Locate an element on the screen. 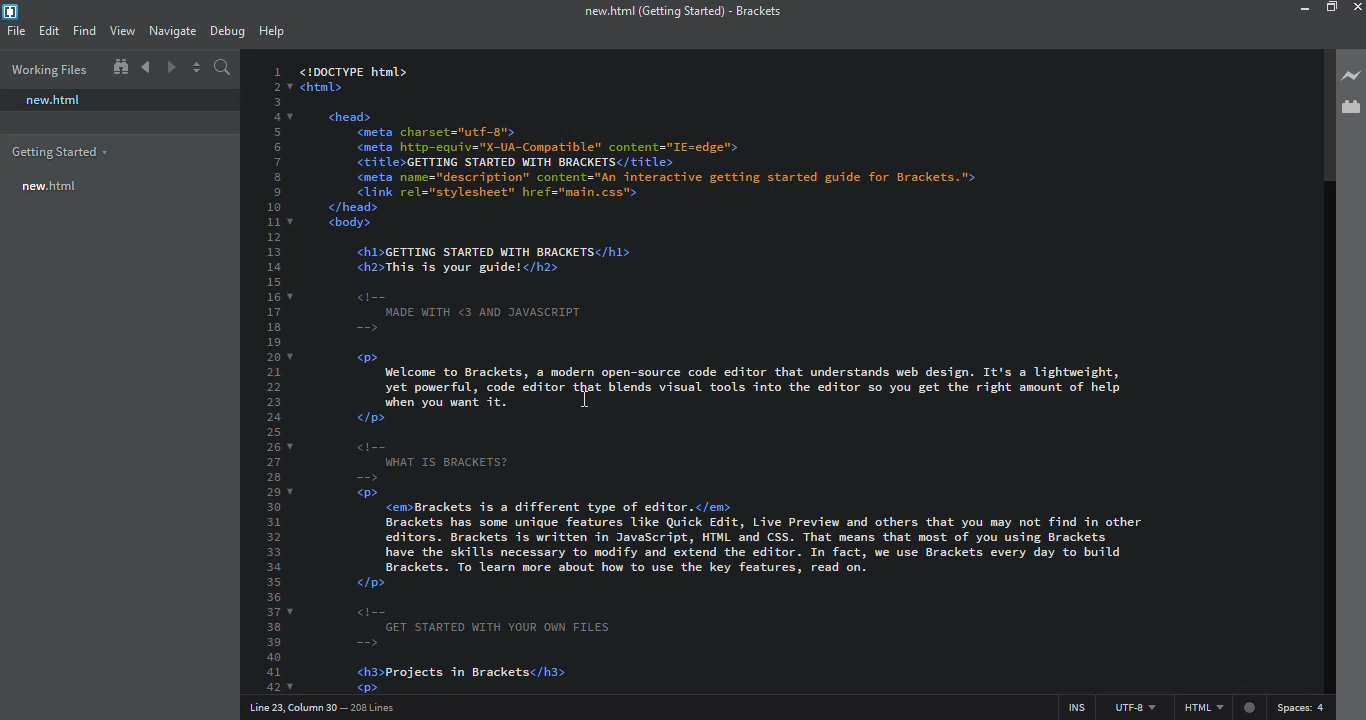 This screenshot has height=720, width=1366. spaces is located at coordinates (1311, 706).